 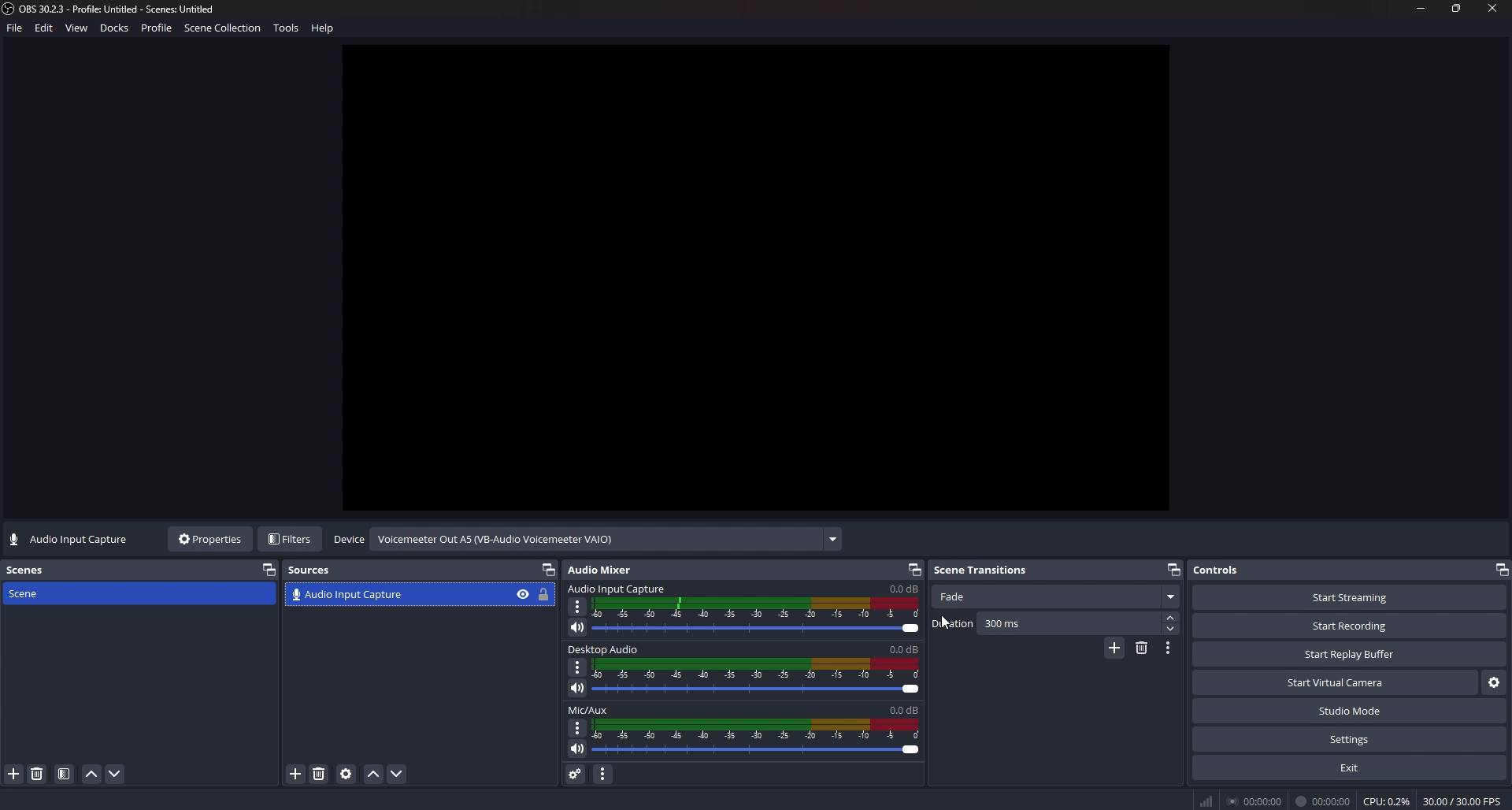 I want to click on start recording, so click(x=1350, y=626).